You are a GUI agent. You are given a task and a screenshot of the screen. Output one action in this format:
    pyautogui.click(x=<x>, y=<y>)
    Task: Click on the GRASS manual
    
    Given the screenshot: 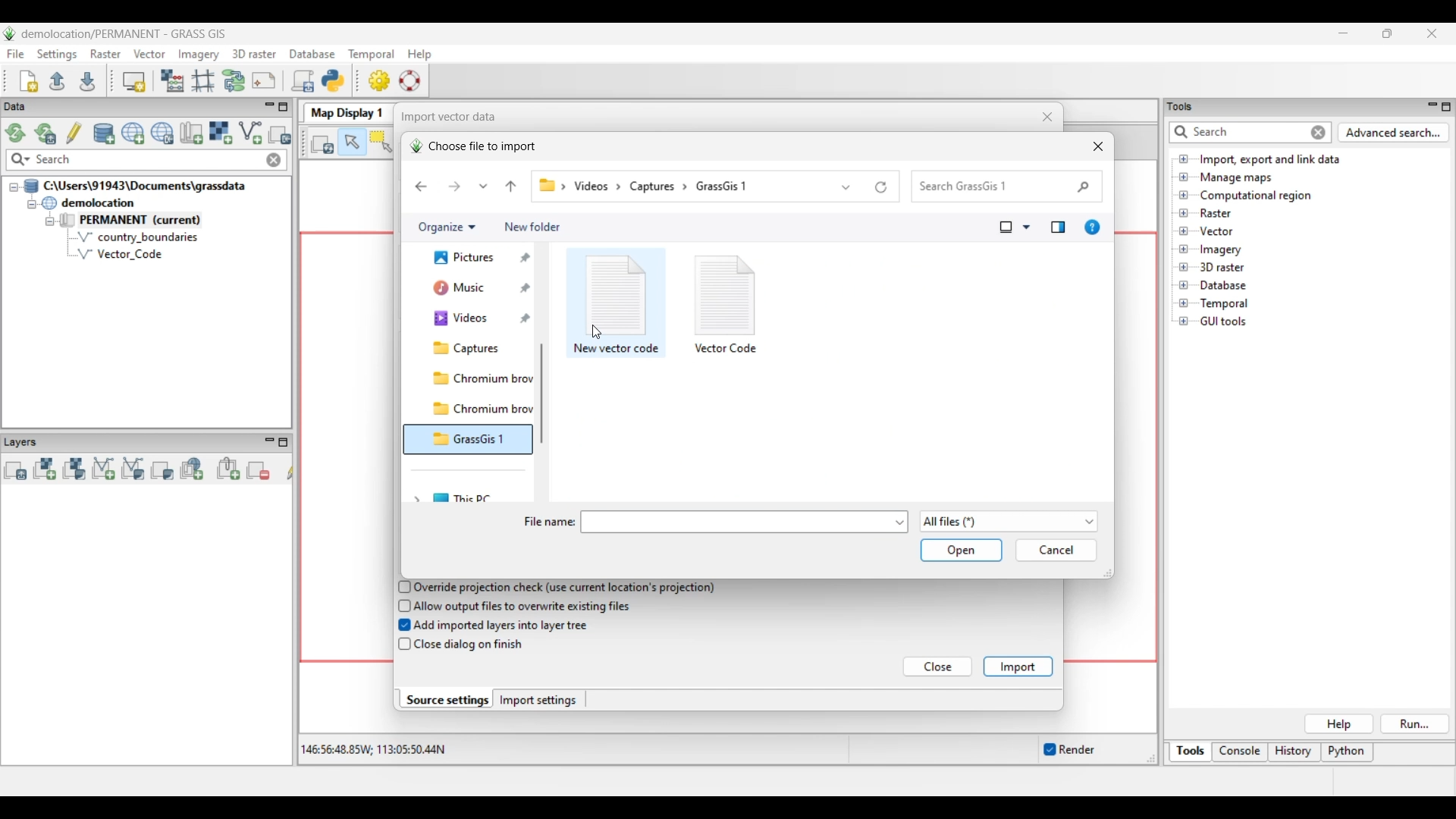 What is the action you would take?
    pyautogui.click(x=409, y=80)
    